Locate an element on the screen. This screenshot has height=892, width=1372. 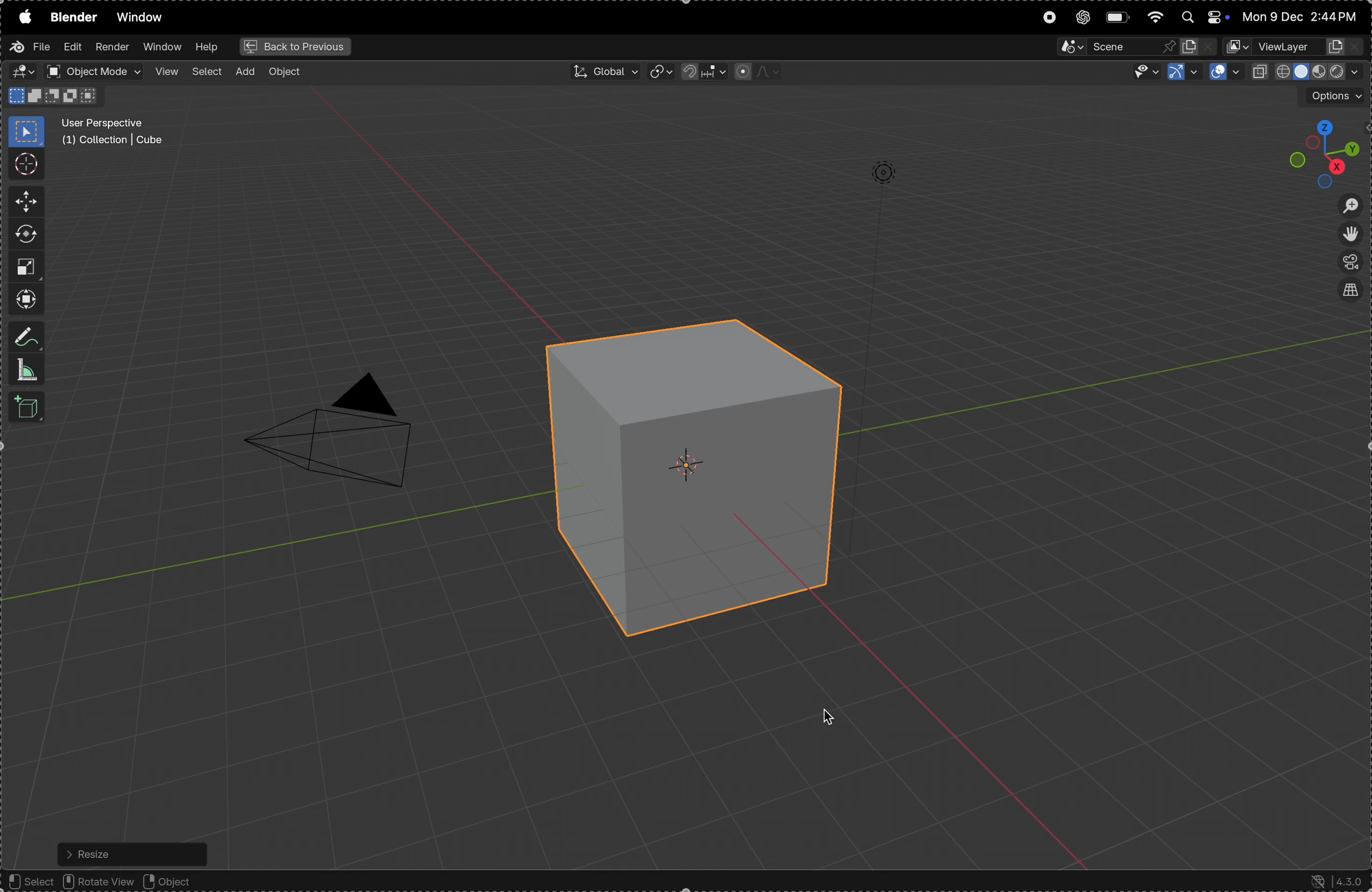
3d cube is located at coordinates (24, 408).